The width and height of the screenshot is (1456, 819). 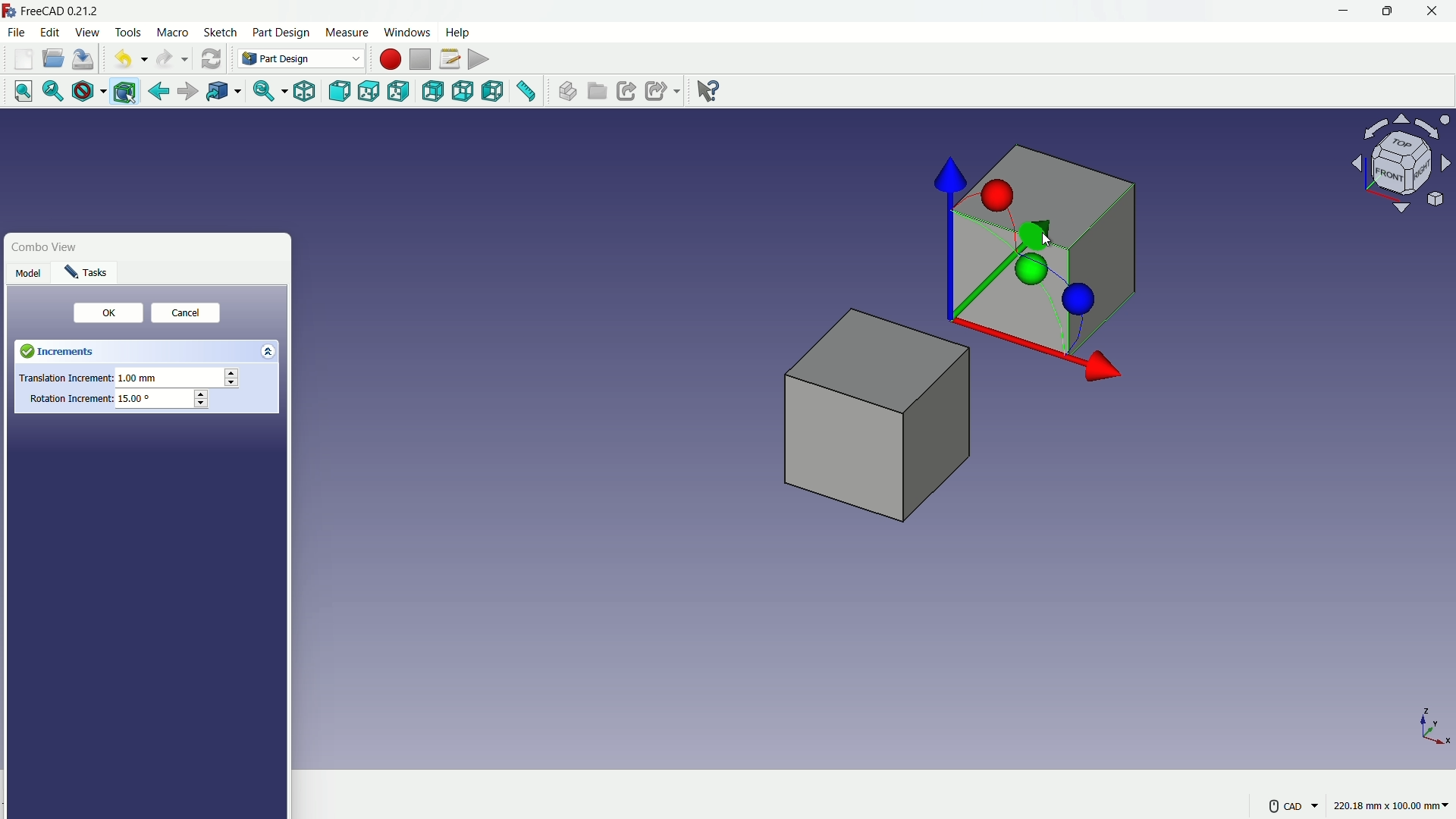 What do you see at coordinates (1291, 805) in the screenshot?
I see `CAD` at bounding box center [1291, 805].